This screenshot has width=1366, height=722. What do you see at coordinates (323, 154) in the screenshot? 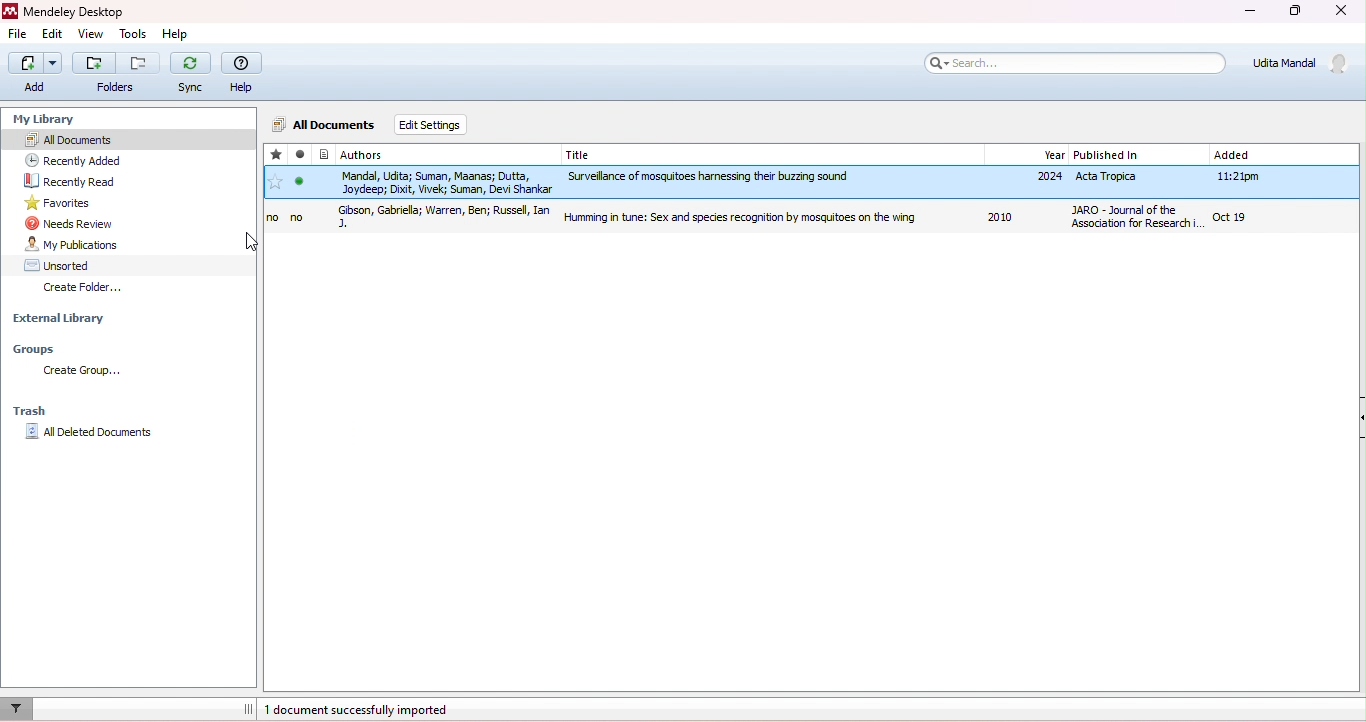
I see `File type` at bounding box center [323, 154].